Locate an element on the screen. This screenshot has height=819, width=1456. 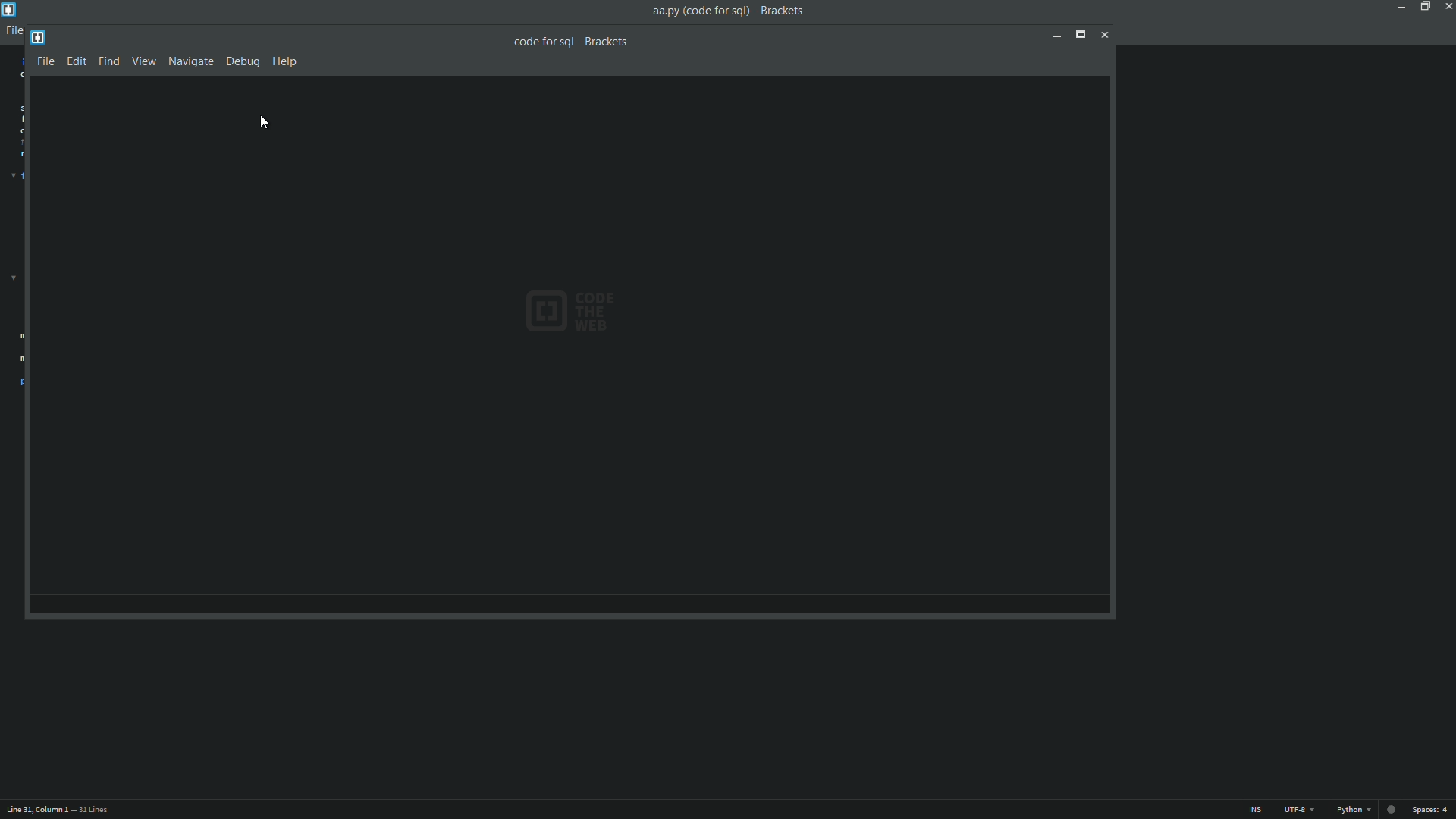
View is located at coordinates (145, 60).